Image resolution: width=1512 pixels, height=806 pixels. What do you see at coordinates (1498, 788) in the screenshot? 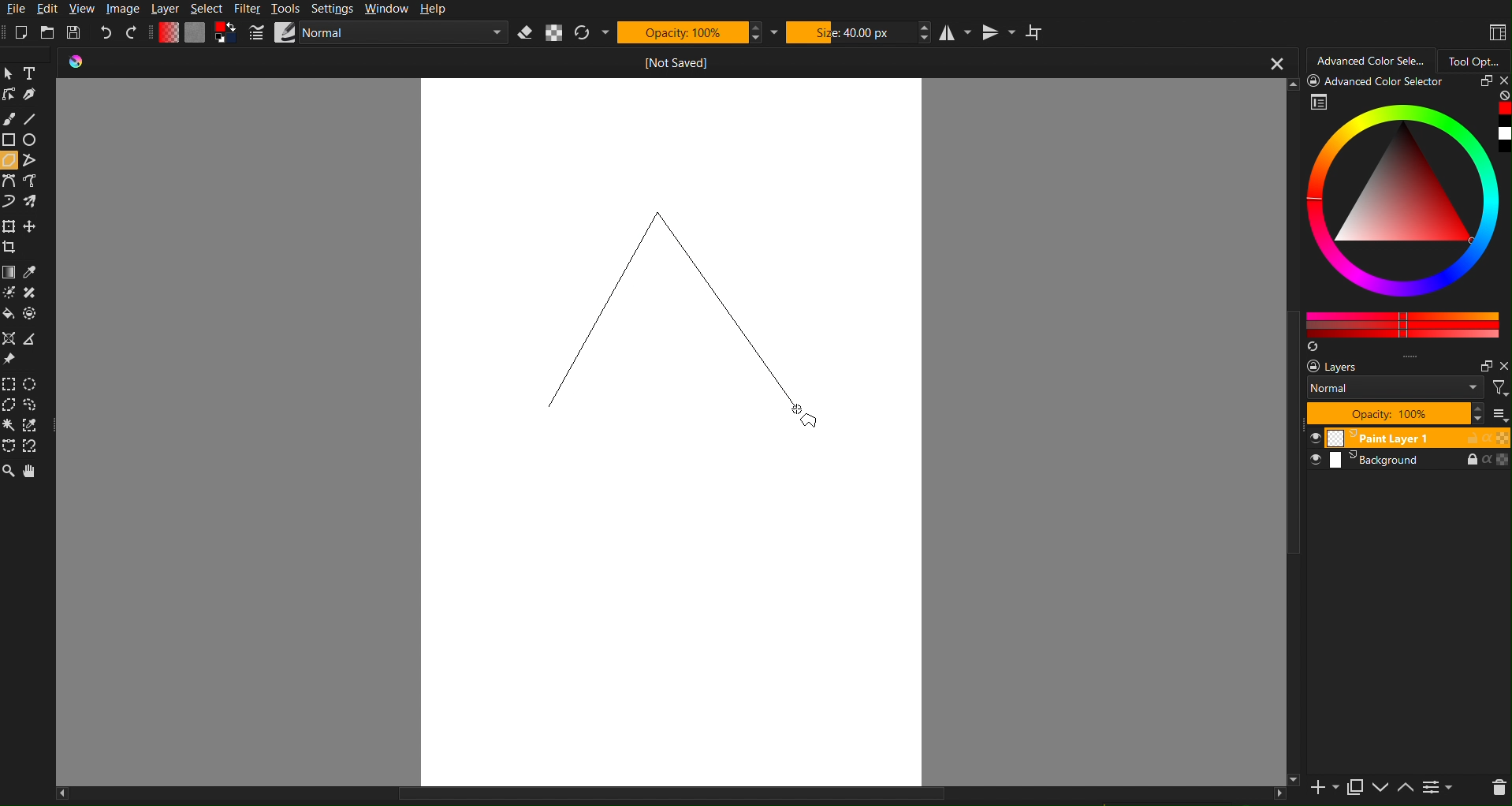
I see `delete layer` at bounding box center [1498, 788].